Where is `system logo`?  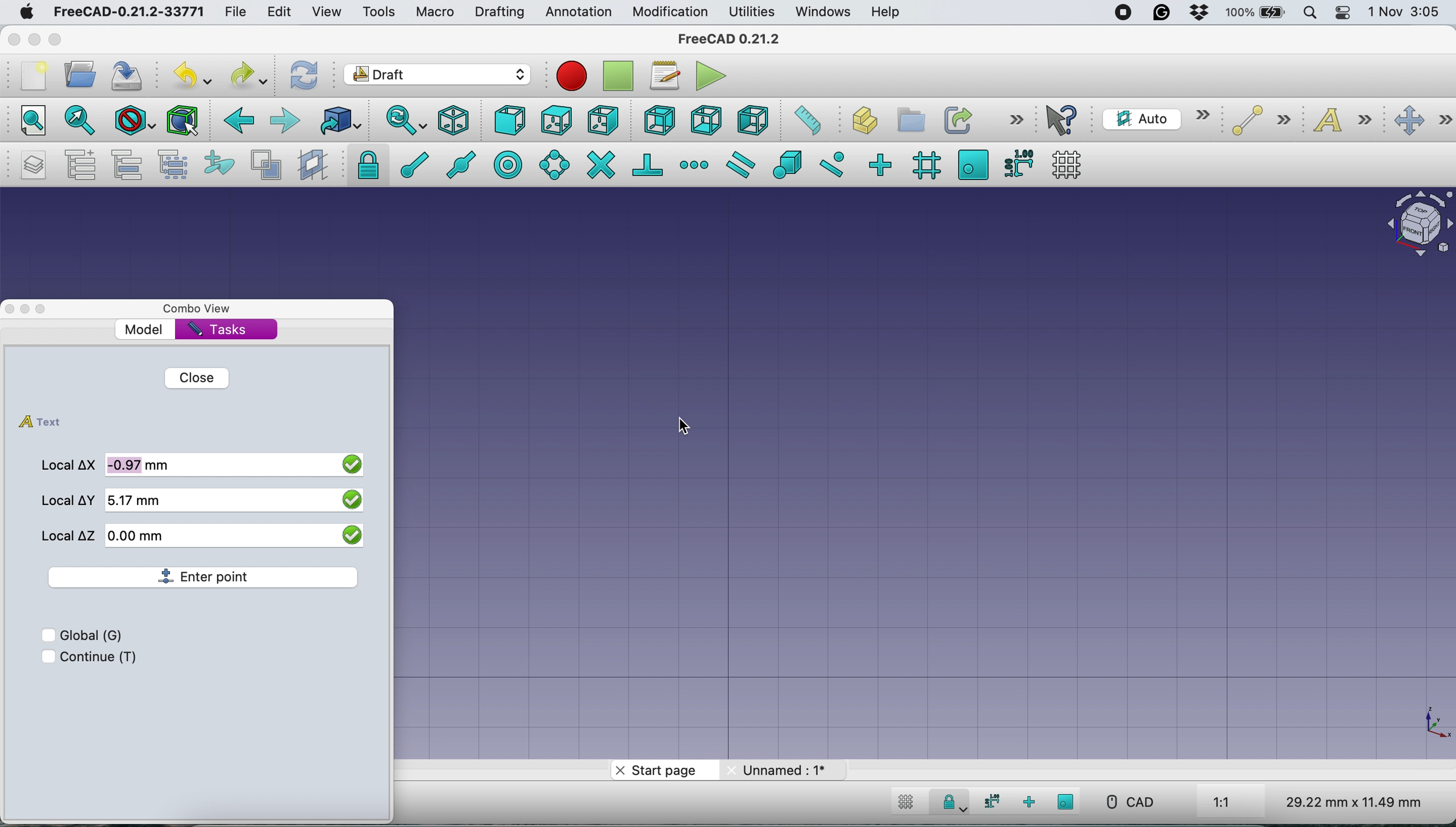
system logo is located at coordinates (25, 11).